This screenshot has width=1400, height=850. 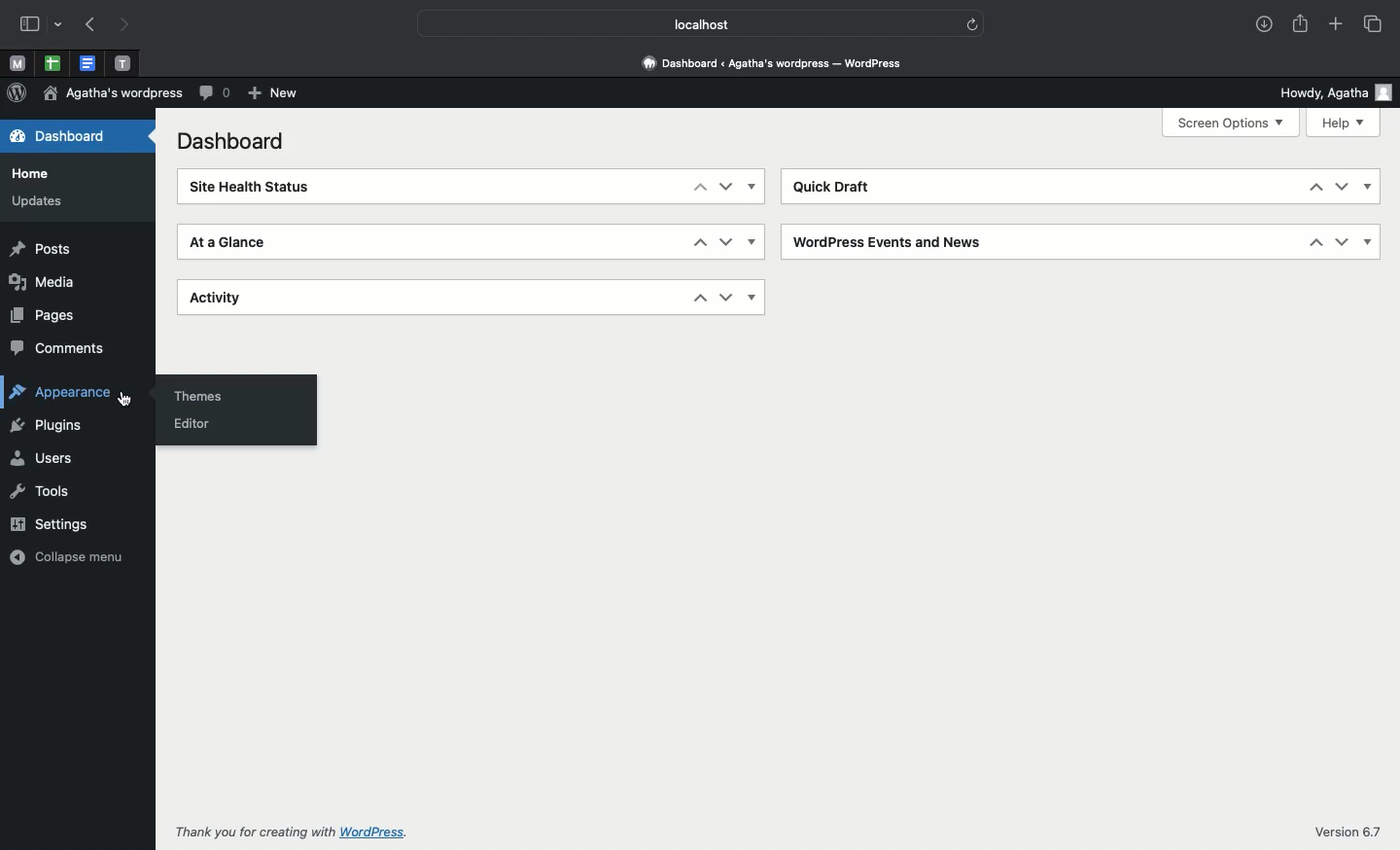 I want to click on Appearance, so click(x=72, y=394).